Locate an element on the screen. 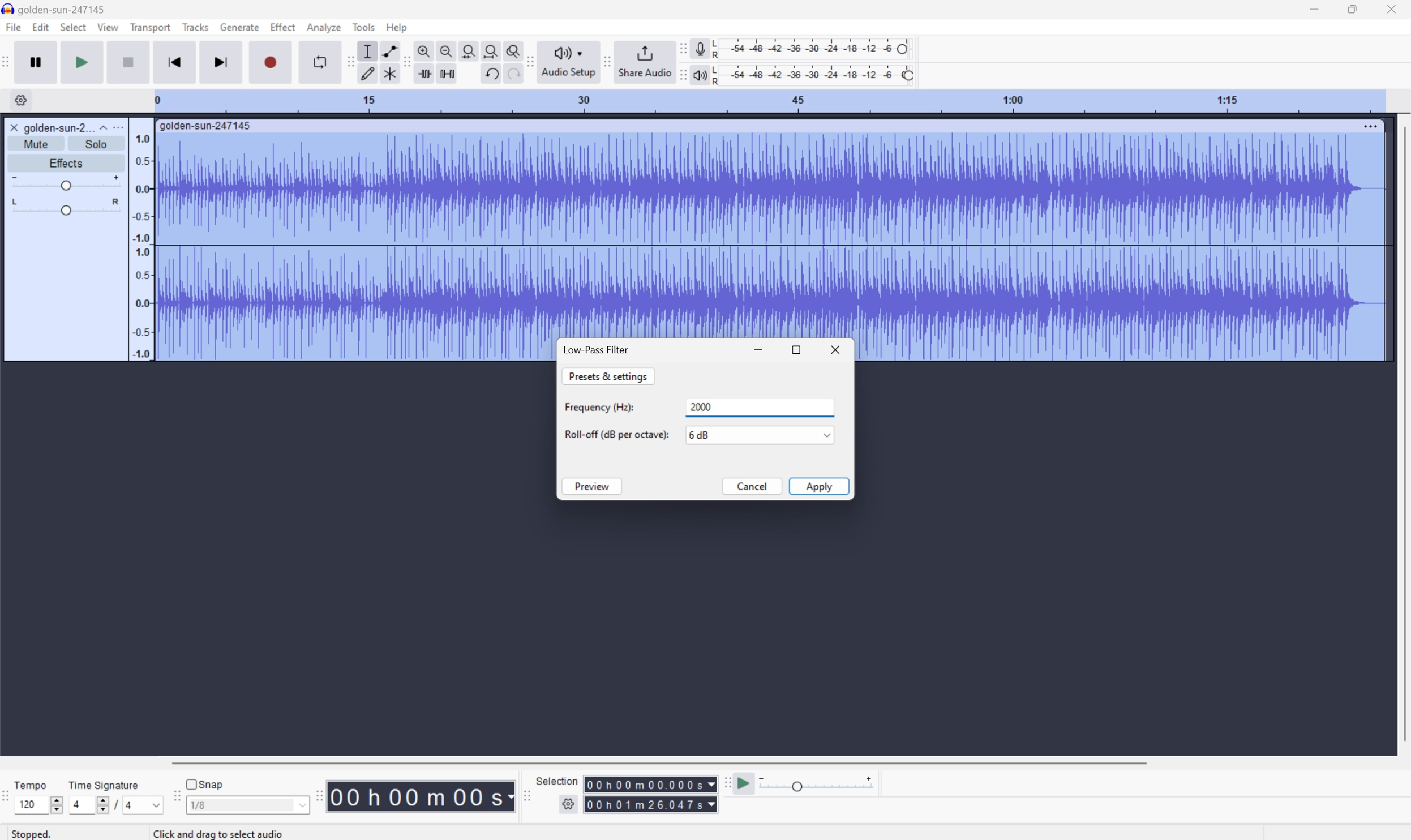 The height and width of the screenshot is (840, 1411). Fit selection to width is located at coordinates (469, 49).